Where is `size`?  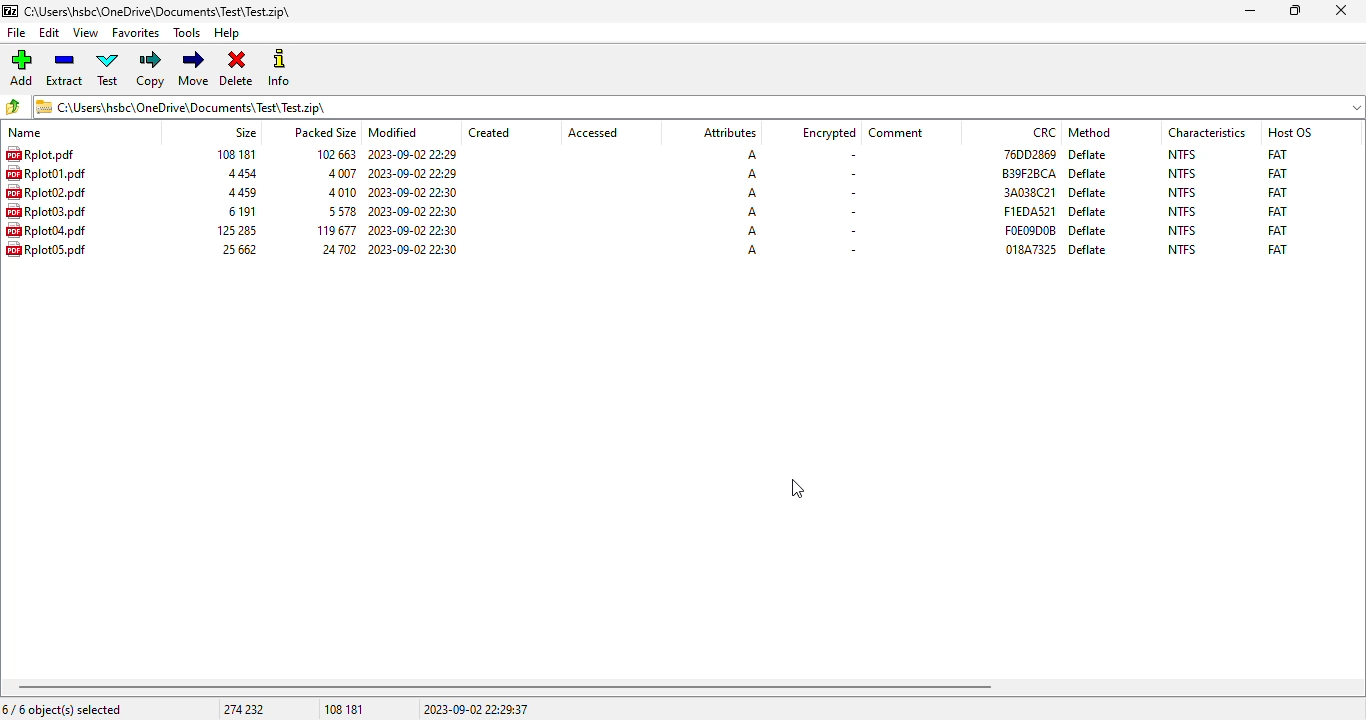 size is located at coordinates (238, 249).